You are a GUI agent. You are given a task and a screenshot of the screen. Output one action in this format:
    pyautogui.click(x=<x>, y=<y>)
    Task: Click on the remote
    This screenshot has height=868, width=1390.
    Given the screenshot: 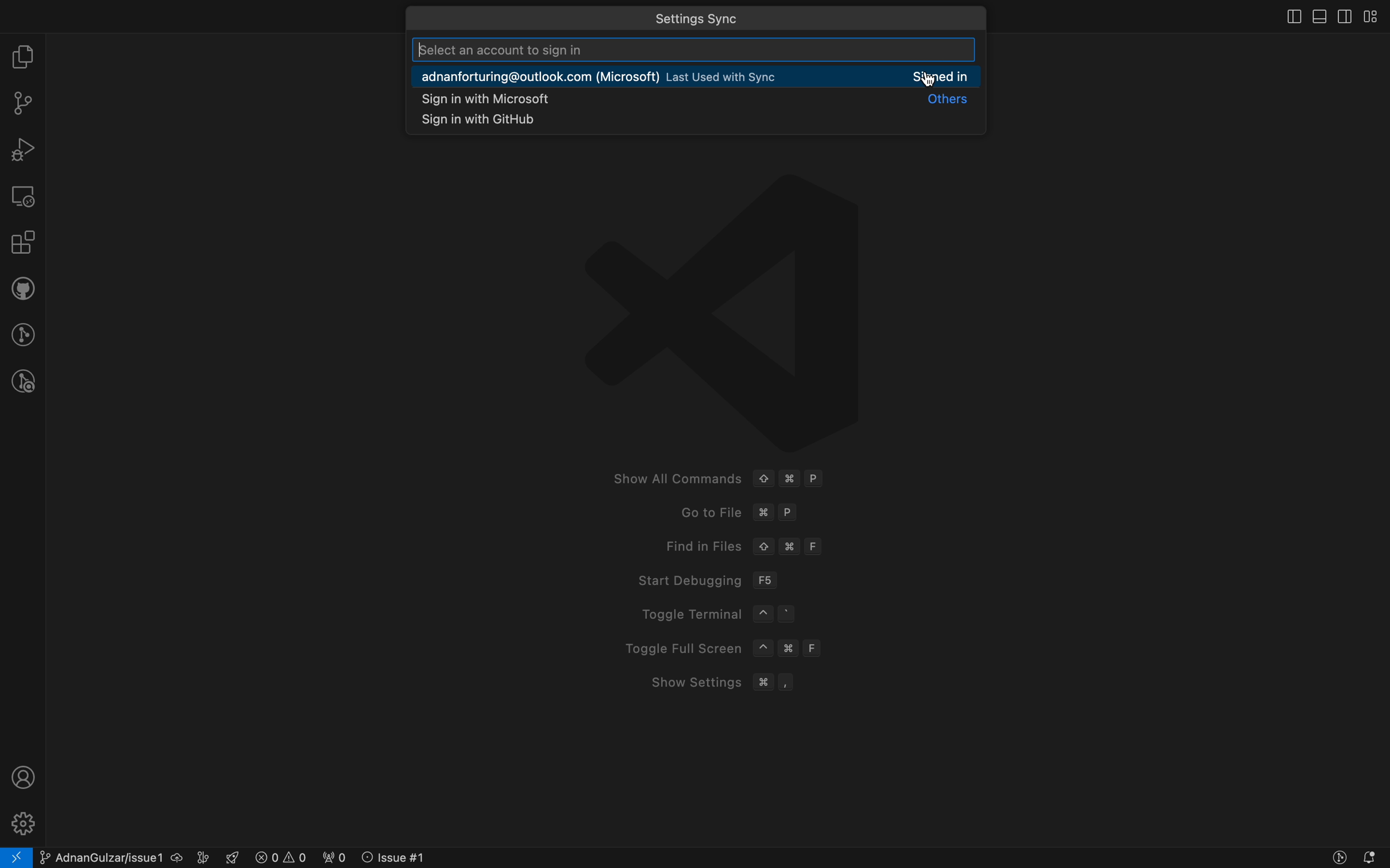 What is the action you would take?
    pyautogui.click(x=24, y=196)
    